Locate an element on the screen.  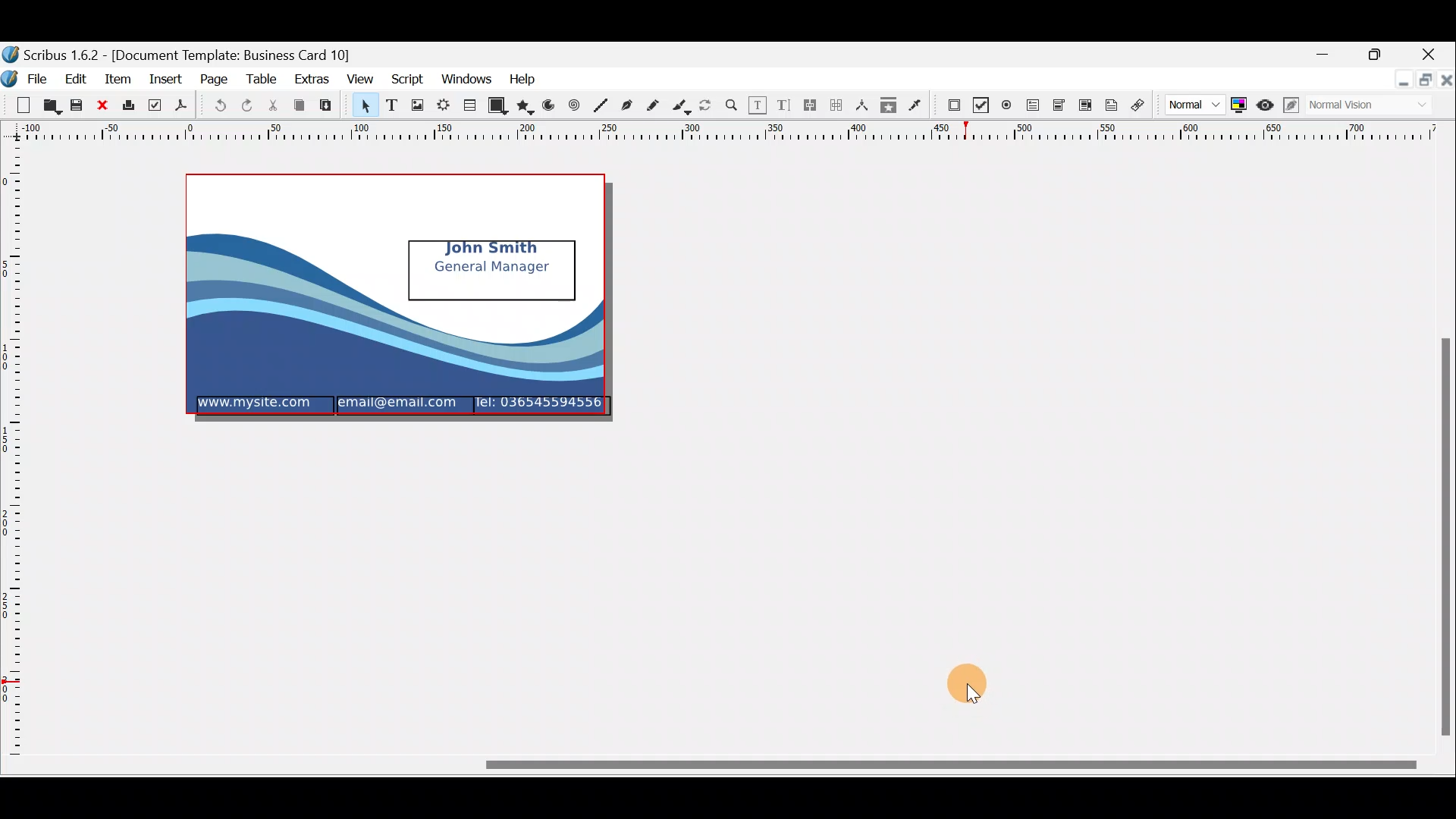
Scroll bar is located at coordinates (729, 767).